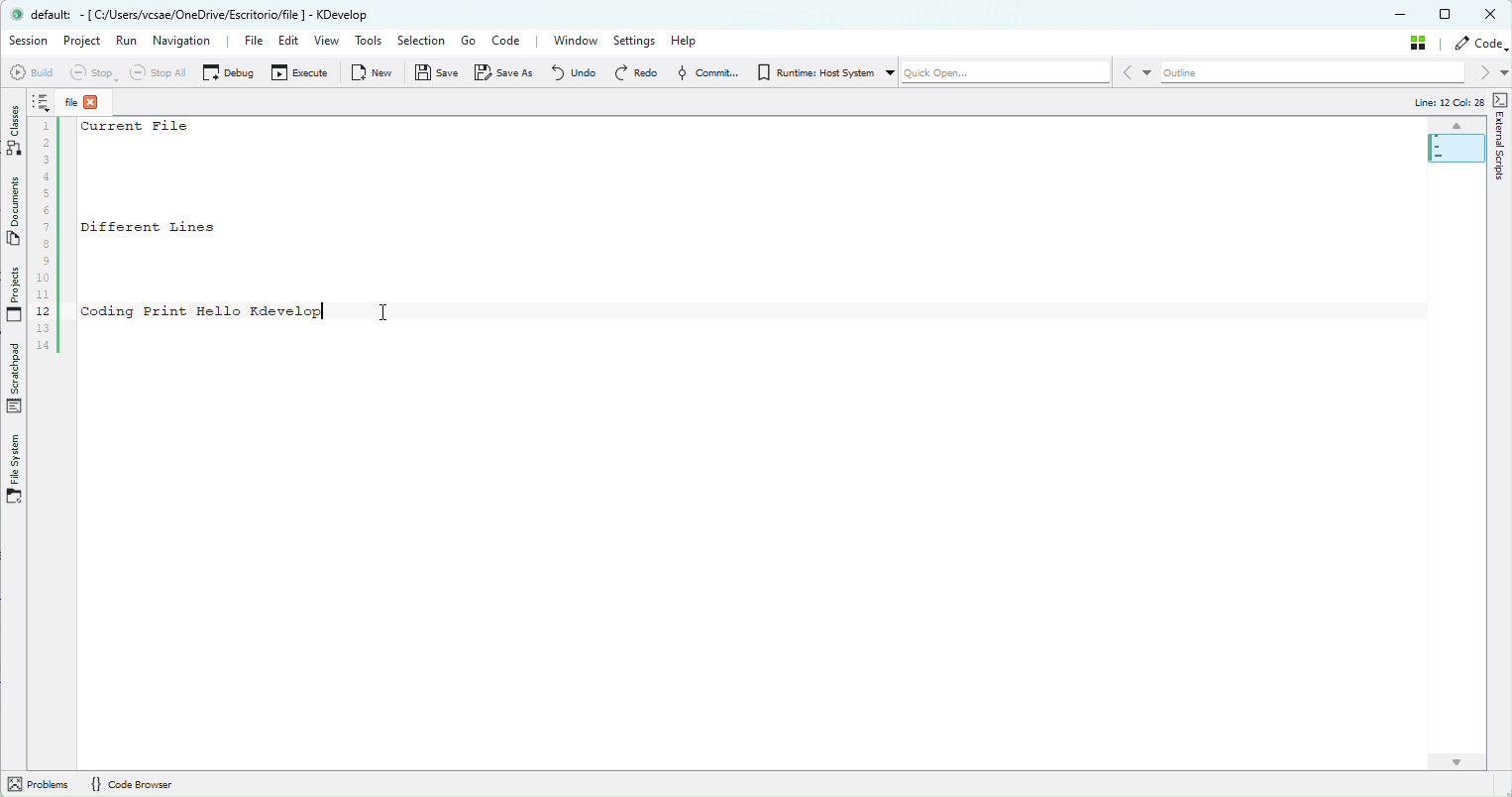 The height and width of the screenshot is (797, 1512). Describe the element at coordinates (15, 208) in the screenshot. I see `Documents` at that location.